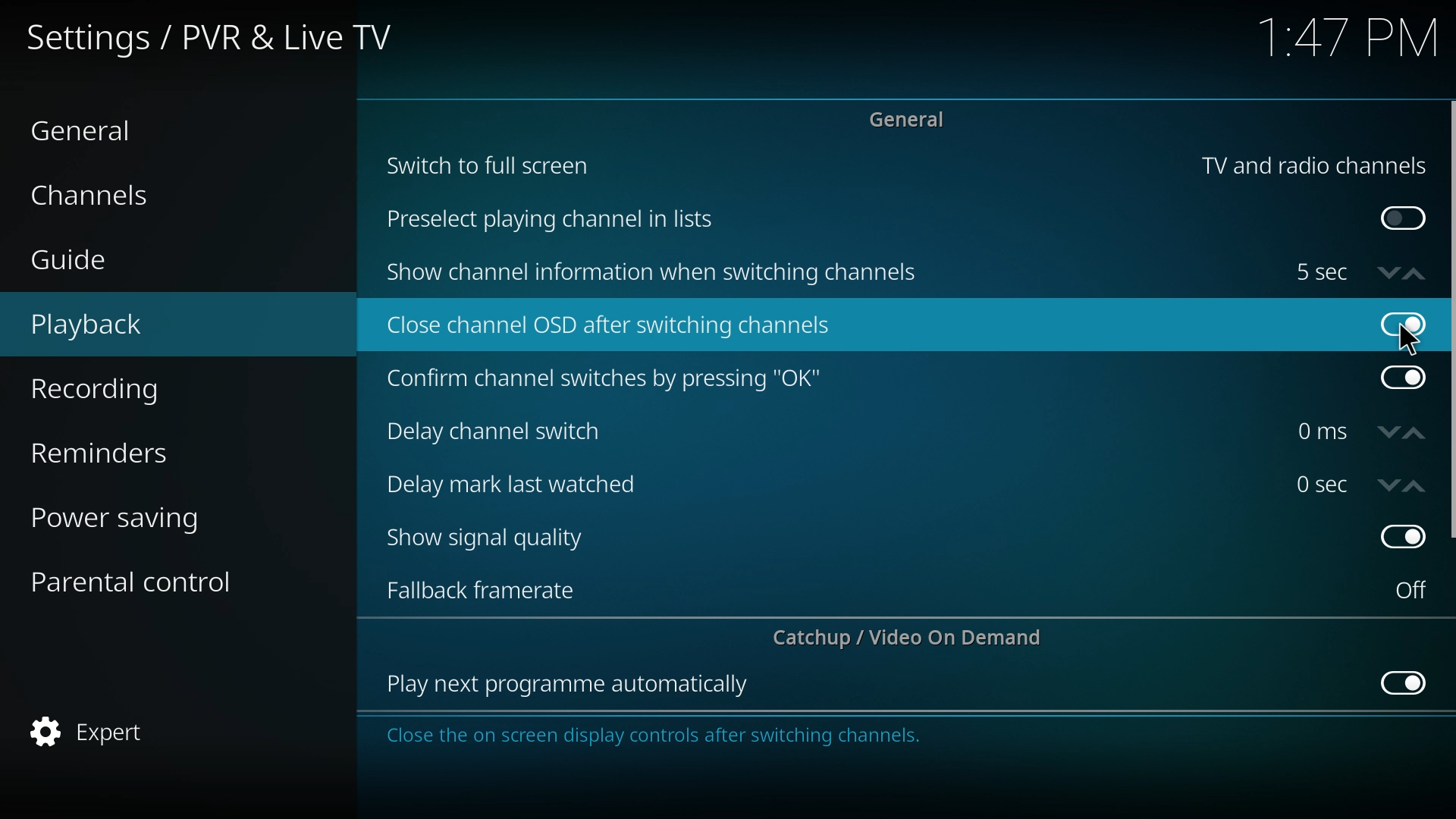  I want to click on decrease time, so click(1390, 433).